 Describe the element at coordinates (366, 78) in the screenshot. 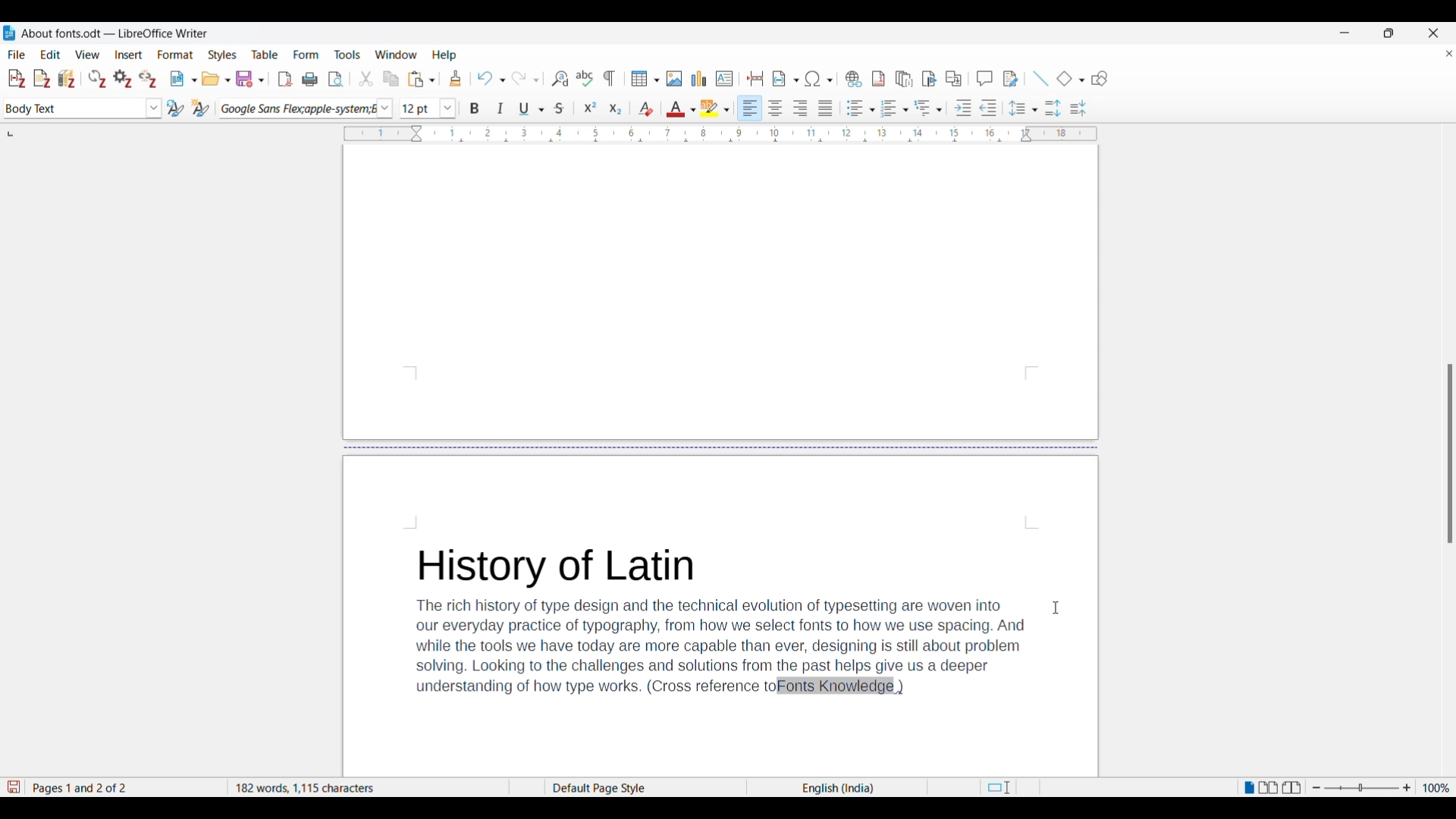

I see `Cut` at that location.